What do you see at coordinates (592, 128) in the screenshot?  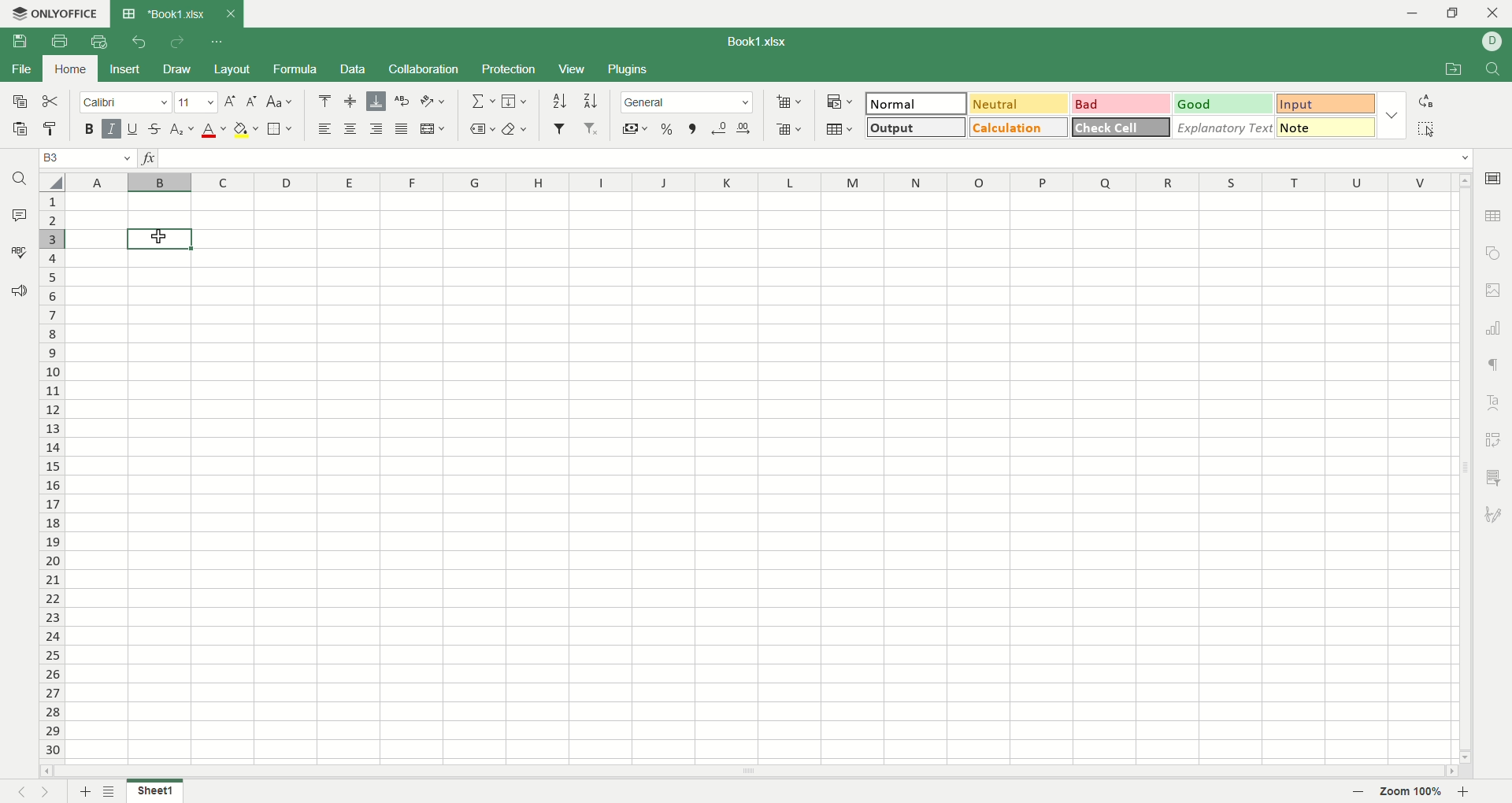 I see `remove filter` at bounding box center [592, 128].